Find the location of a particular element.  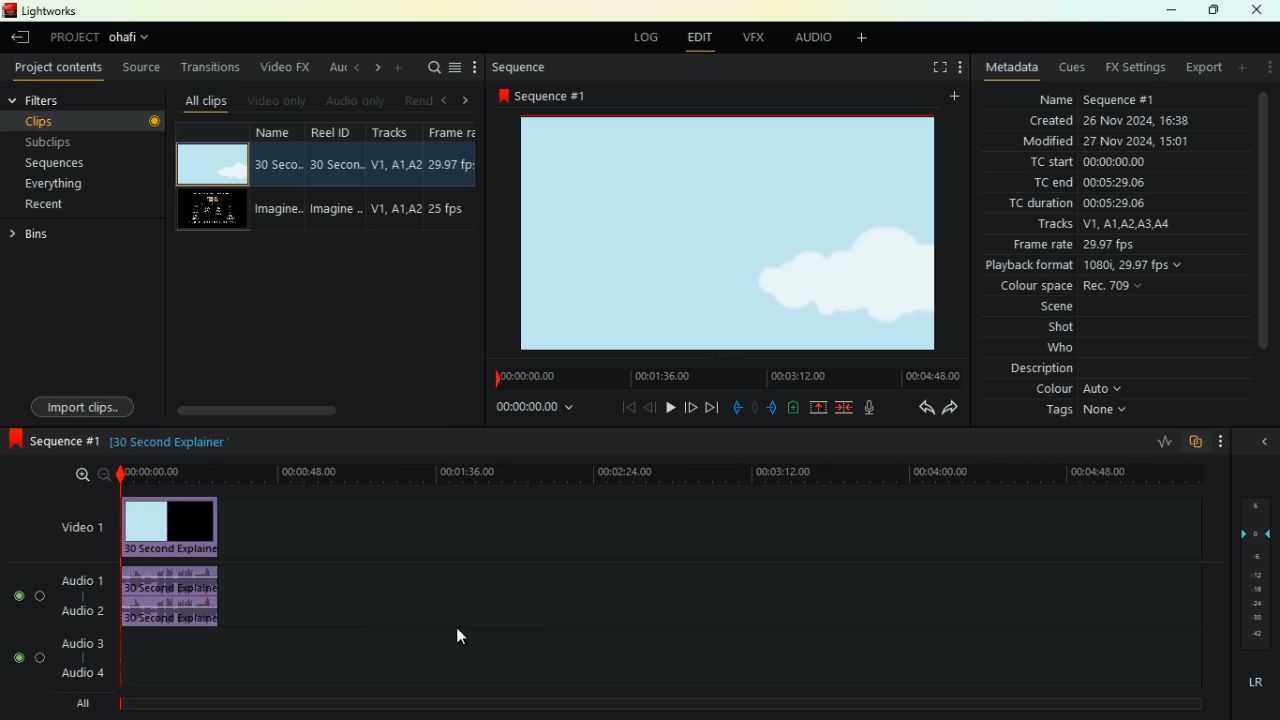

close is located at coordinates (1262, 443).